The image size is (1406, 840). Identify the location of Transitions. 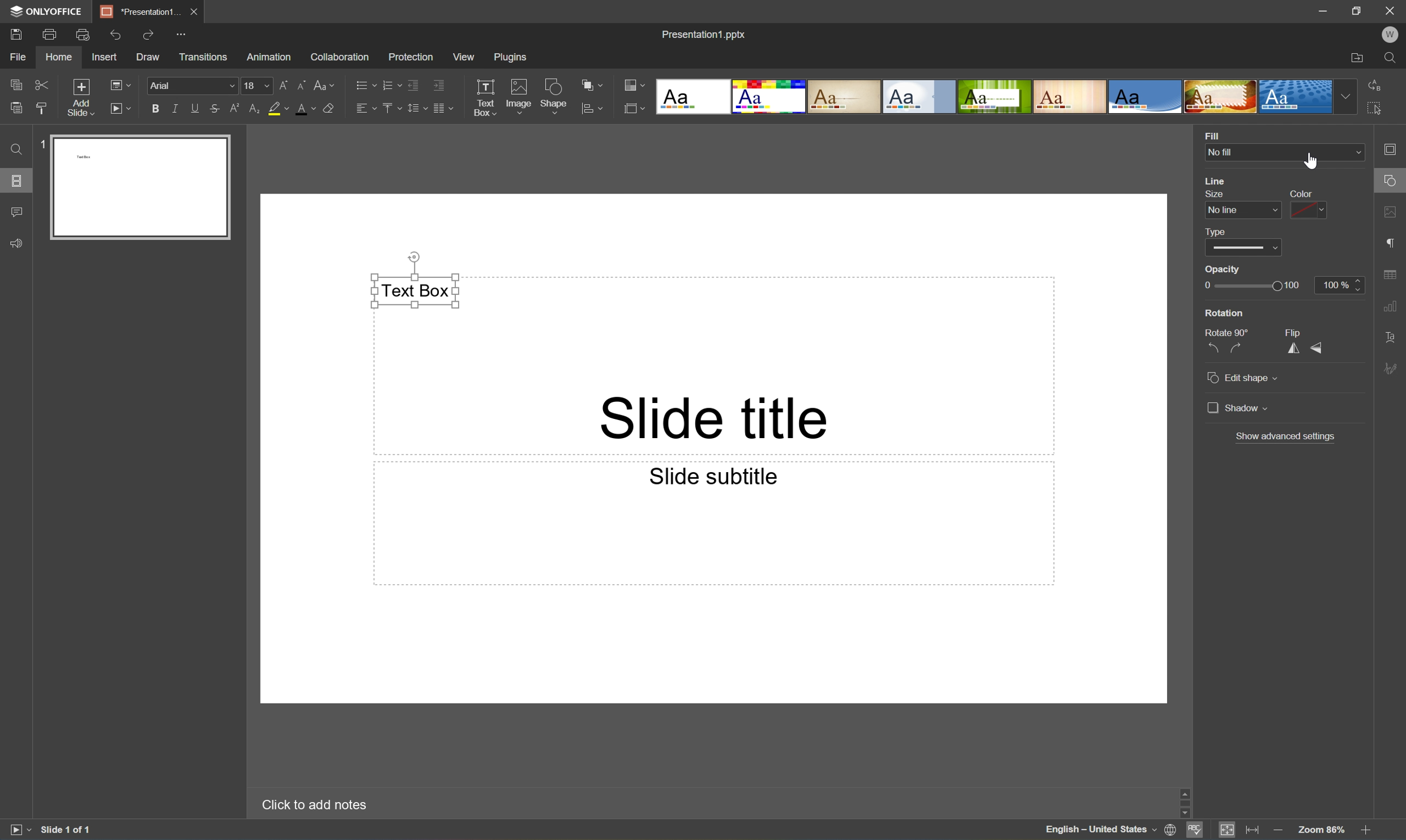
(205, 57).